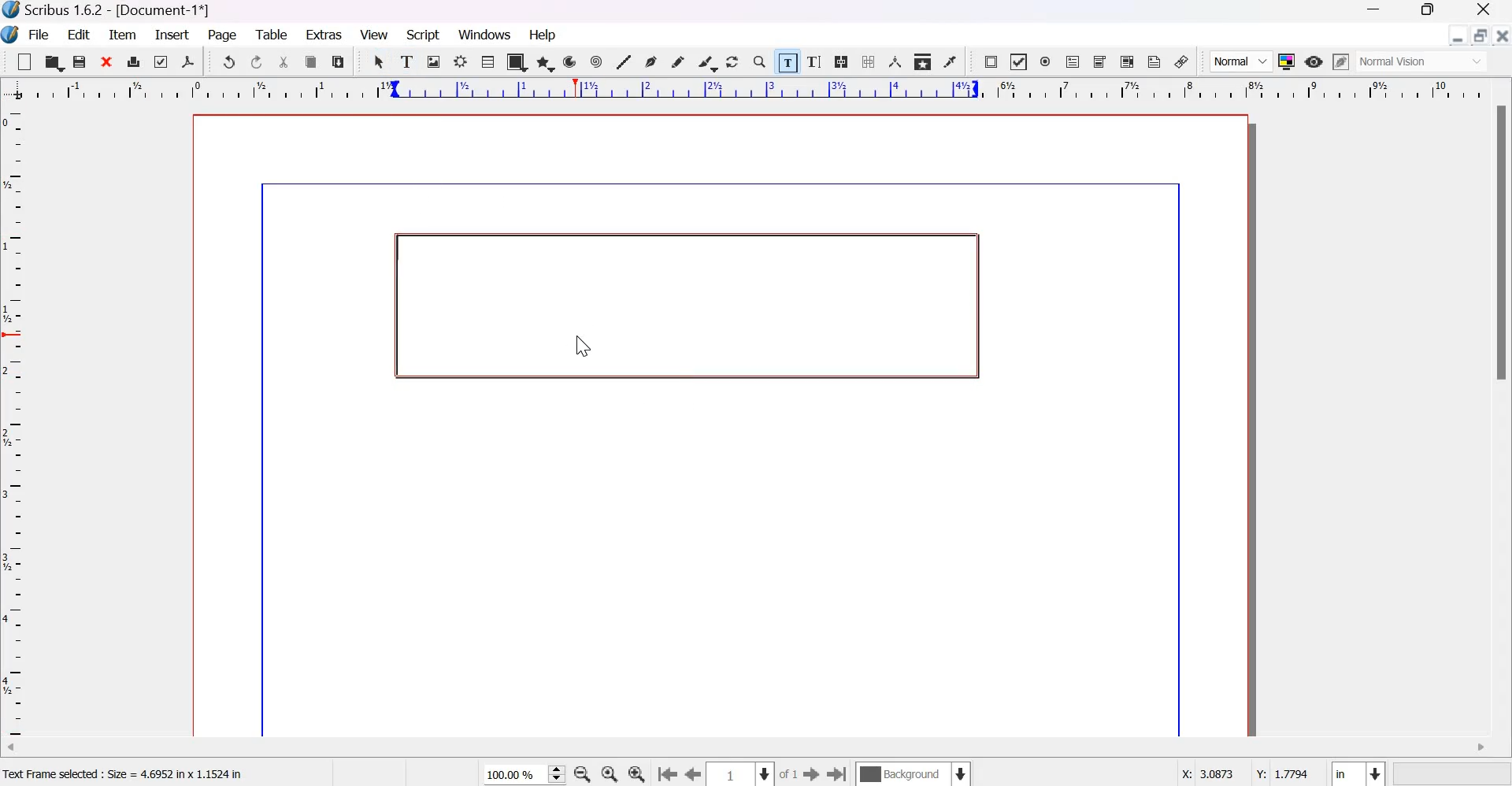 This screenshot has width=1512, height=786. I want to click on undo, so click(228, 61).